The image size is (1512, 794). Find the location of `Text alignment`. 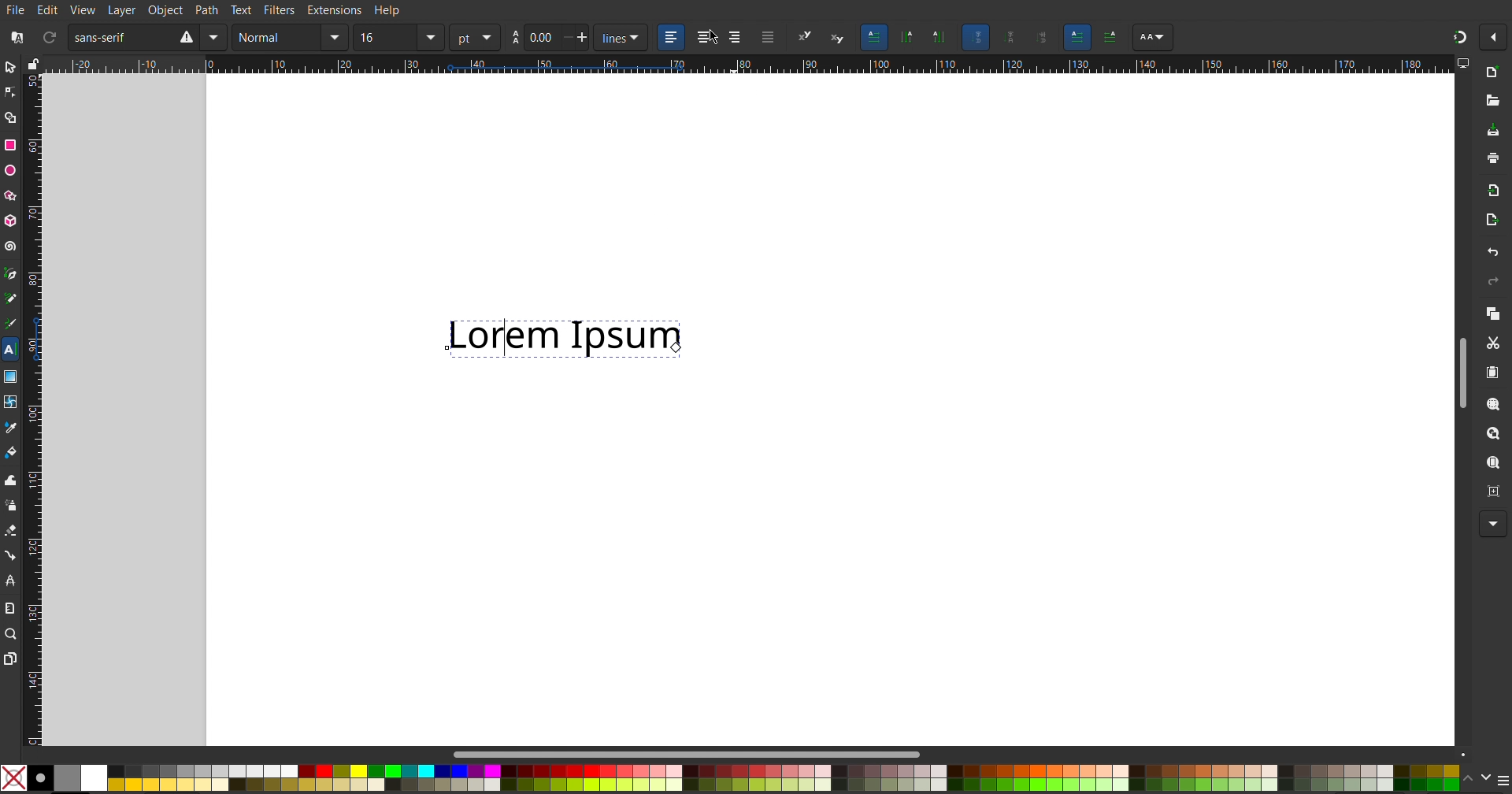

Text alignment is located at coordinates (717, 38).